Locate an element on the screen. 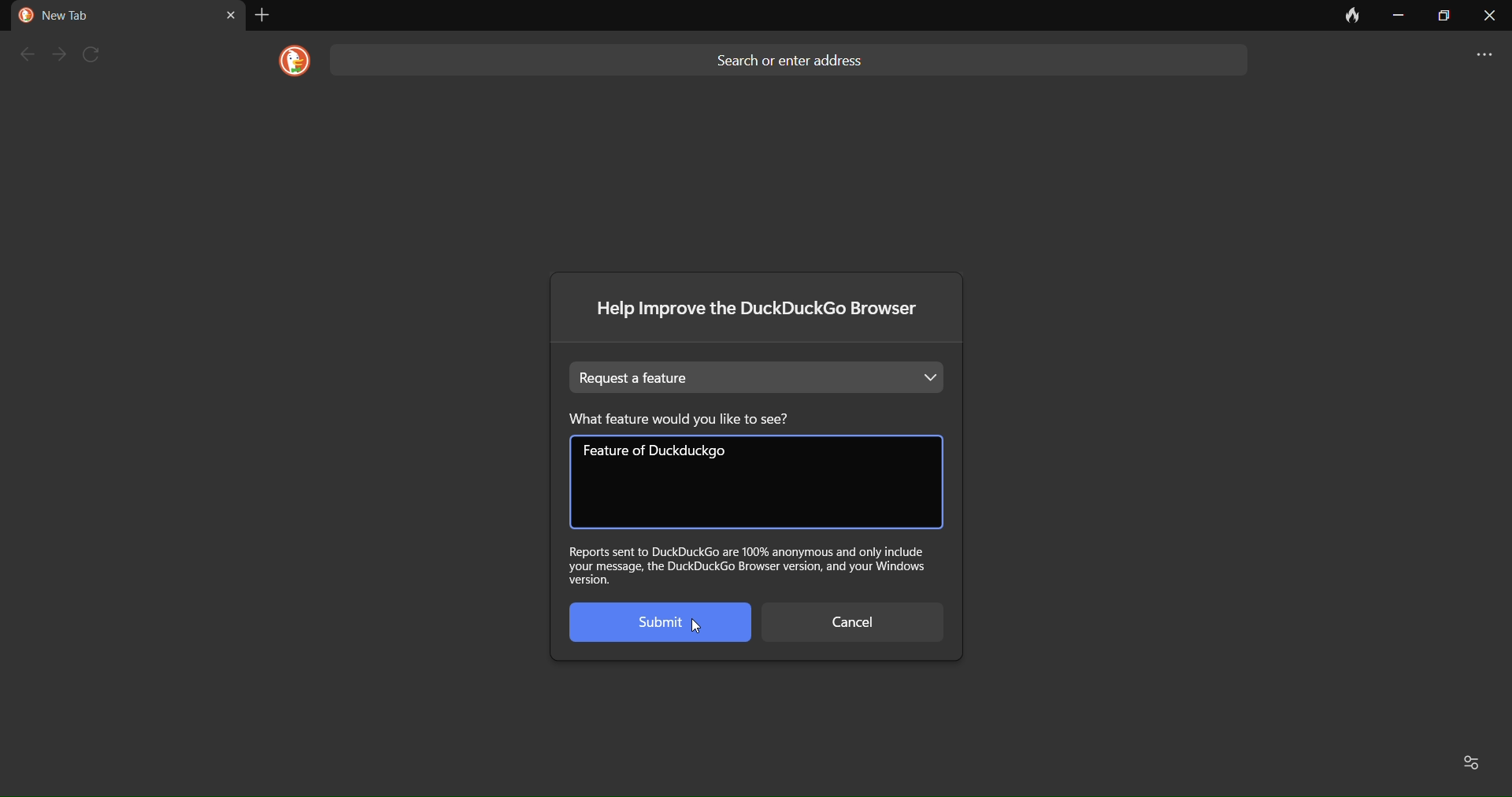 This screenshot has height=797, width=1512. cursor is located at coordinates (694, 625).